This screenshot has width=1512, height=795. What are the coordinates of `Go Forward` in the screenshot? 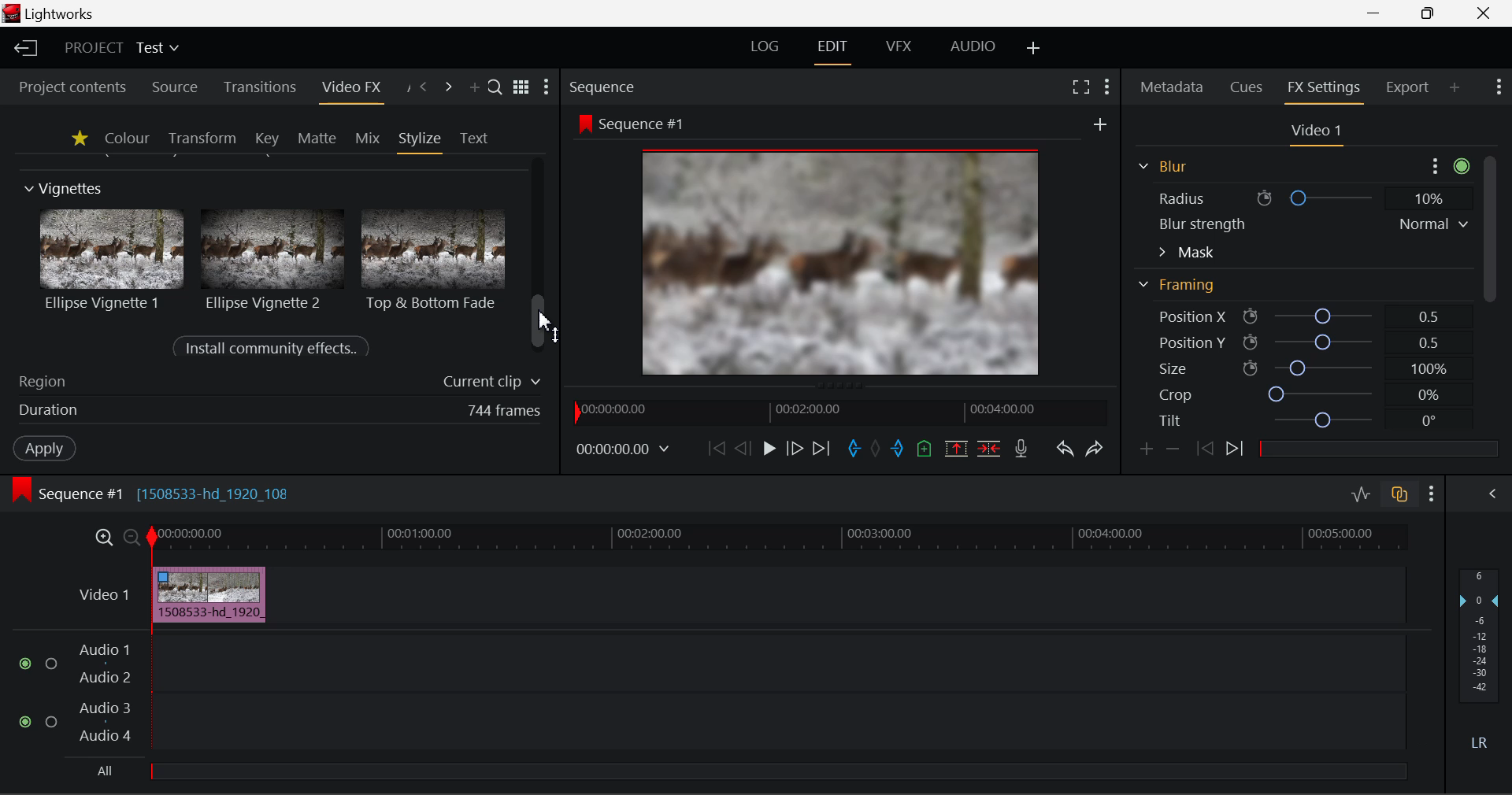 It's located at (795, 449).